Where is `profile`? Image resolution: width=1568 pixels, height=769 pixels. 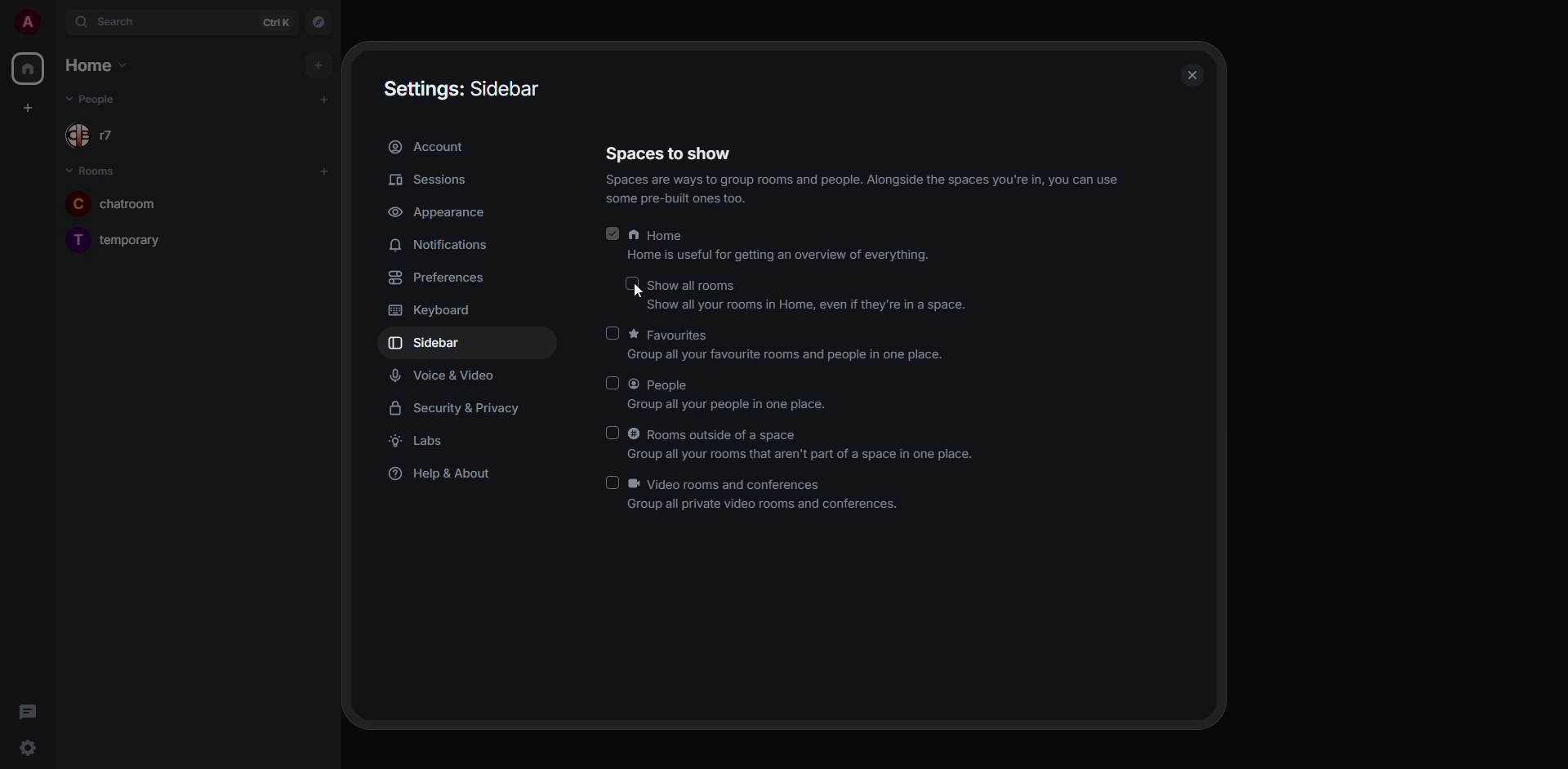
profile is located at coordinates (24, 21).